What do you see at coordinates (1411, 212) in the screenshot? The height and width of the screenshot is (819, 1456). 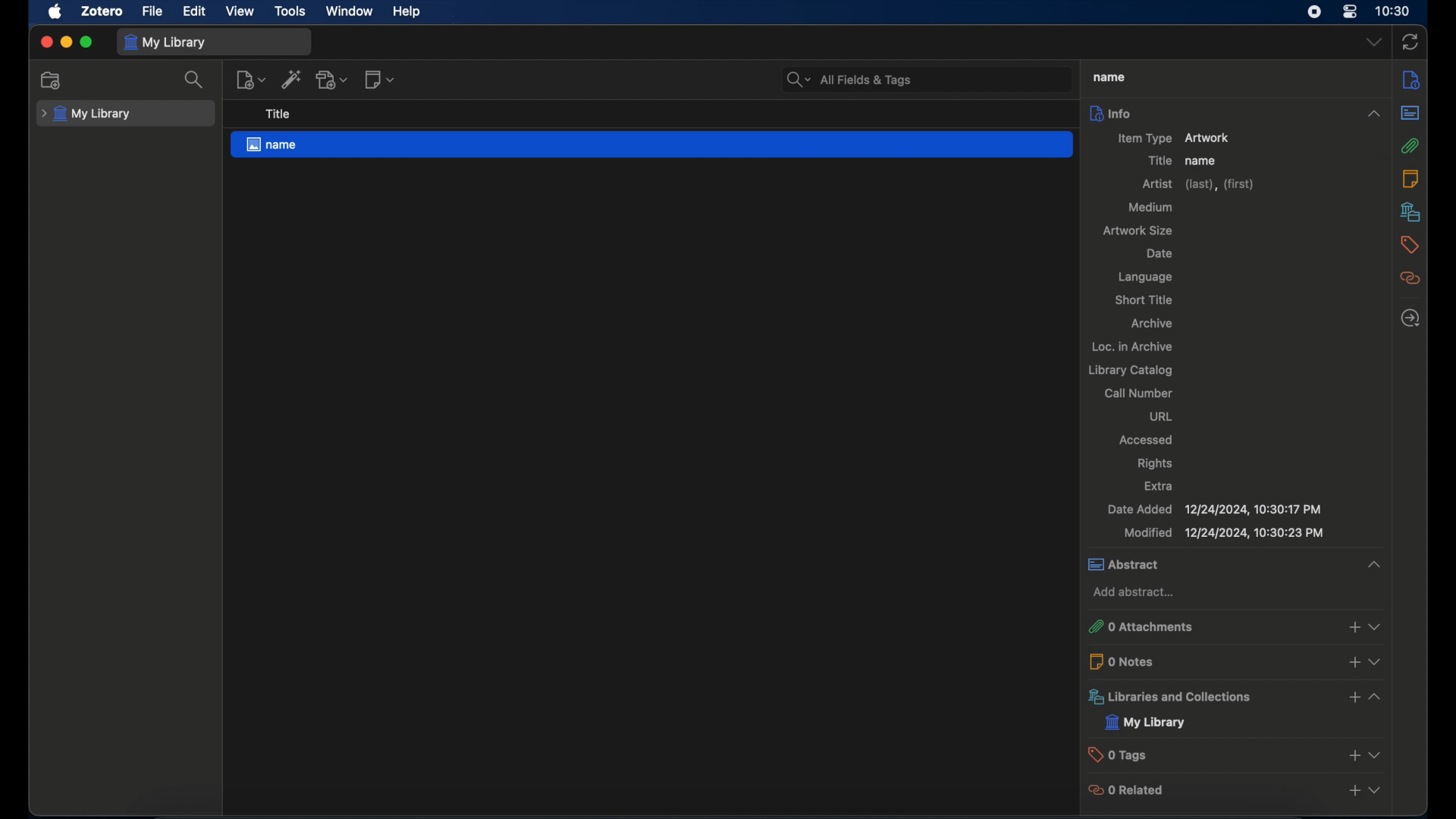 I see `libraries` at bounding box center [1411, 212].